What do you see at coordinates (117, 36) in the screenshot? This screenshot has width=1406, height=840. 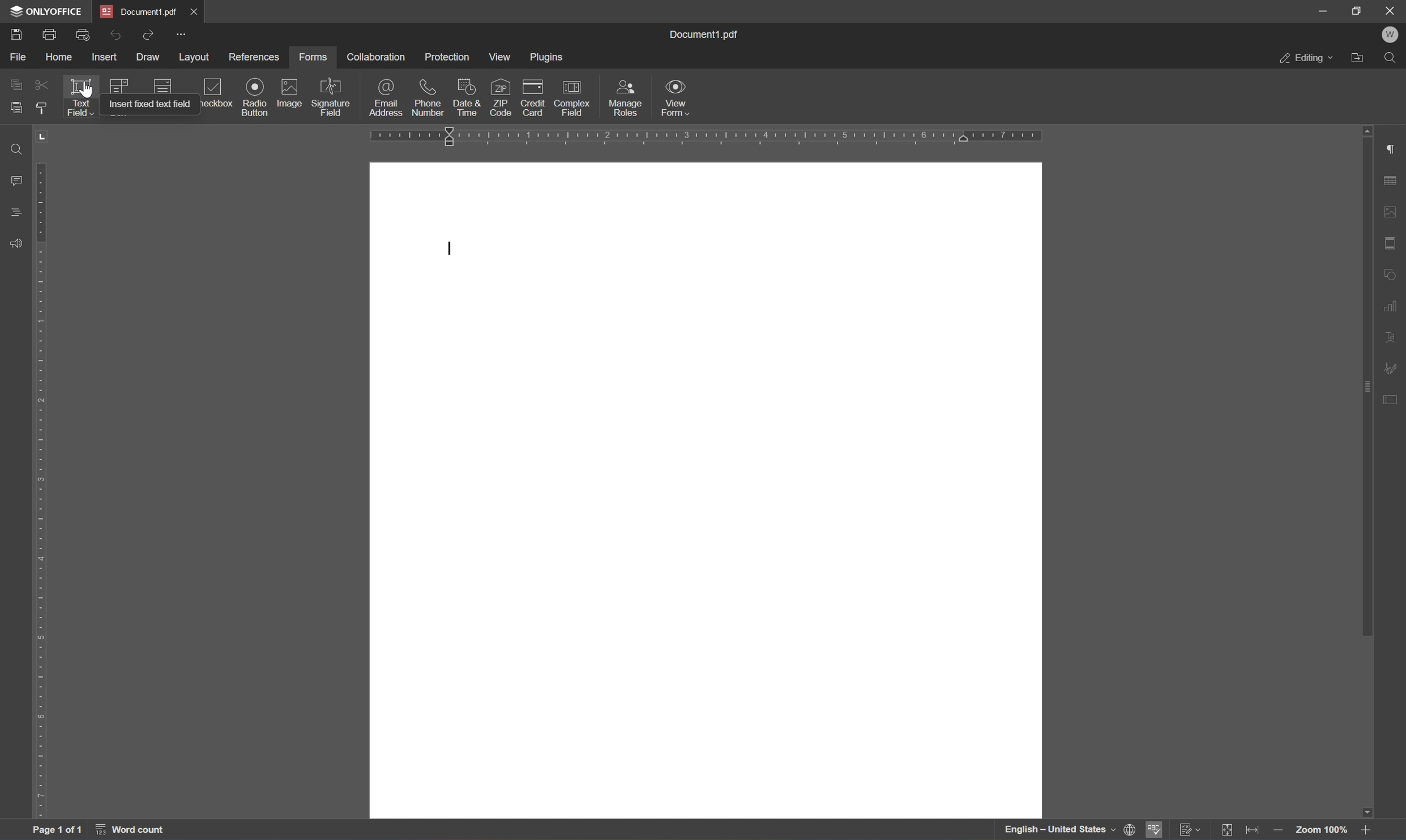 I see `redo` at bounding box center [117, 36].